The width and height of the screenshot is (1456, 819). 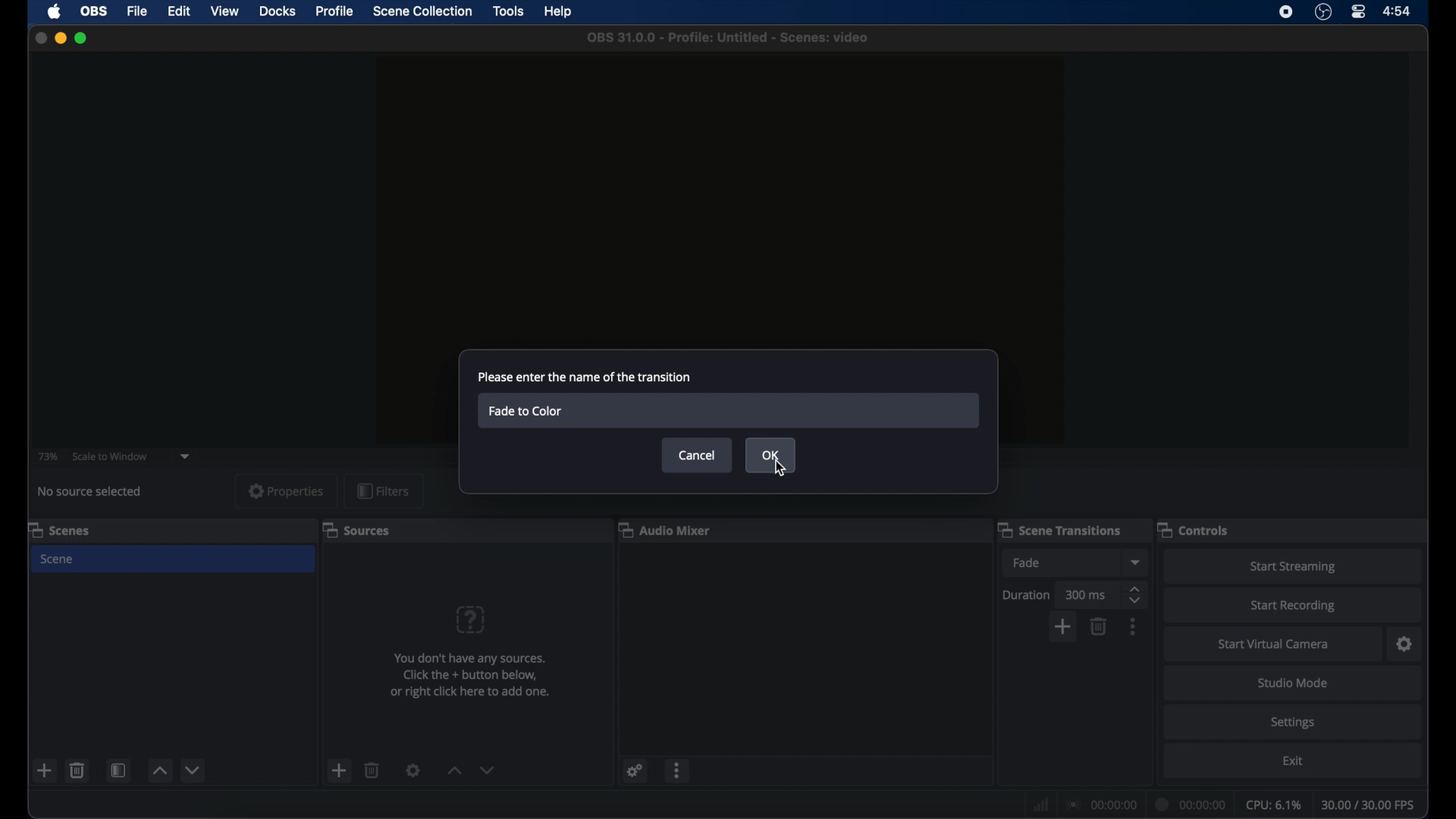 I want to click on scene collection, so click(x=422, y=11).